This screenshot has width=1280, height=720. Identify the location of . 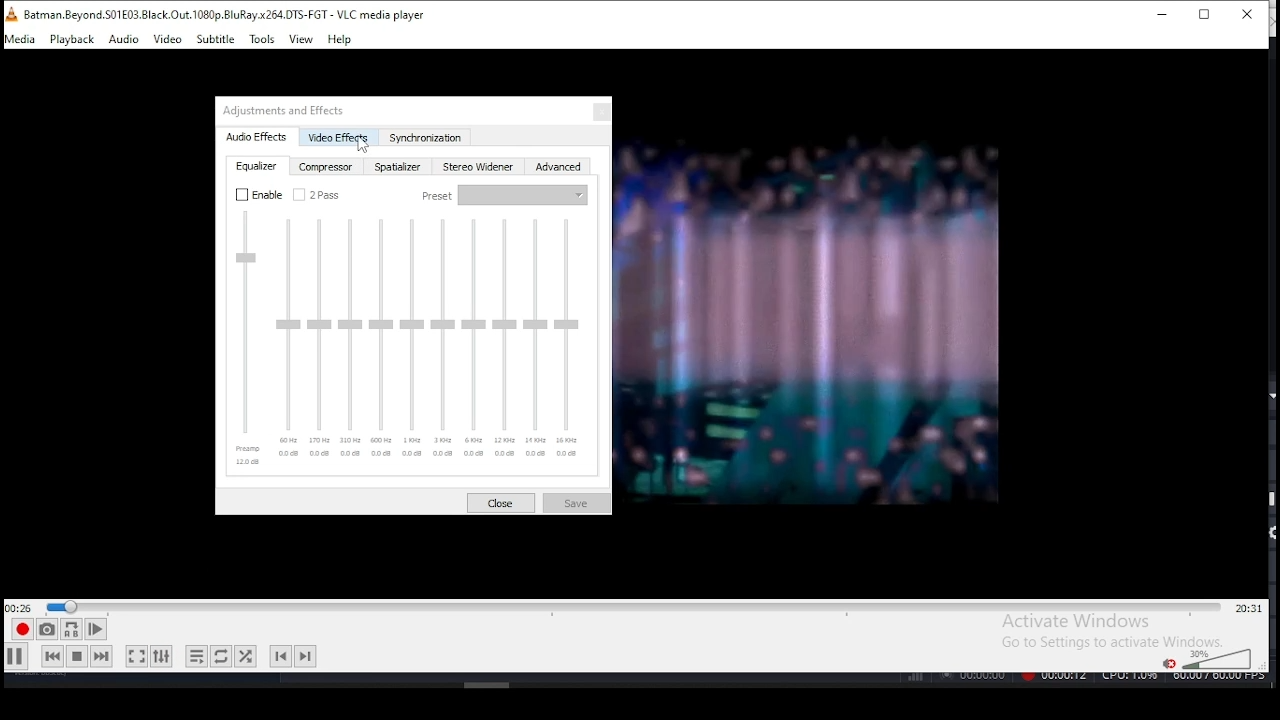
(1084, 679).